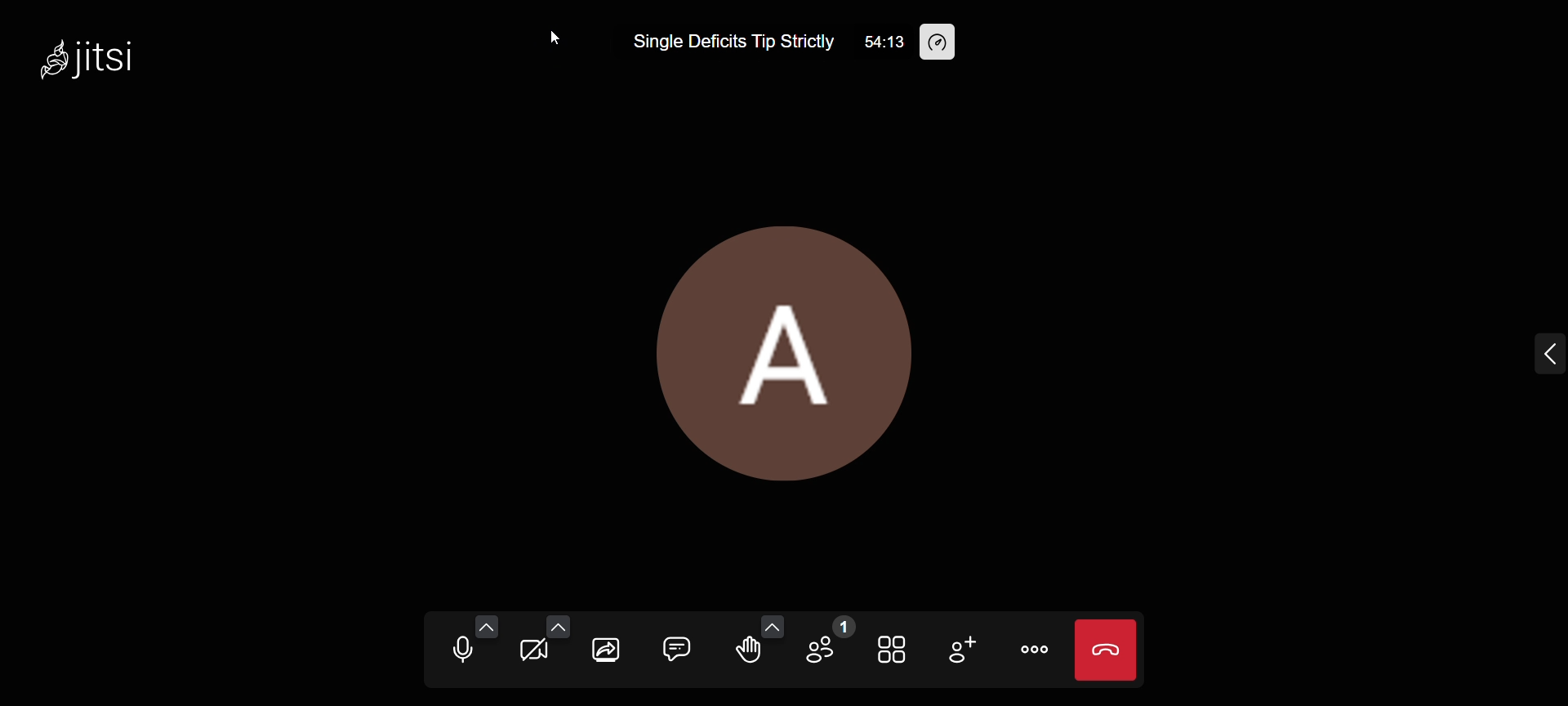 The height and width of the screenshot is (706, 1568). Describe the element at coordinates (1106, 649) in the screenshot. I see `end call` at that location.